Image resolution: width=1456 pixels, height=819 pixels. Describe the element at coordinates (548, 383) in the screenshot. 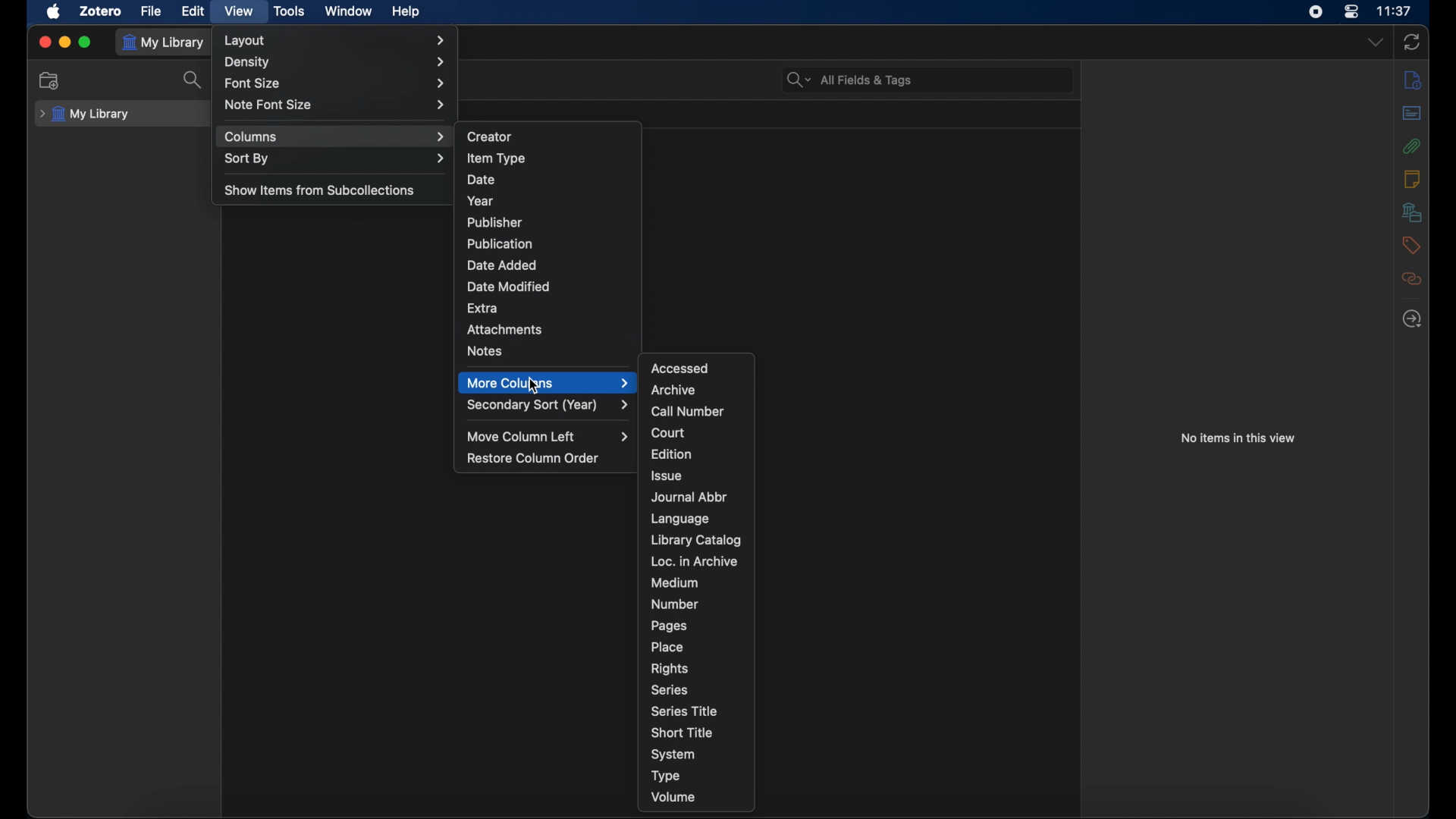

I see `more columns` at that location.